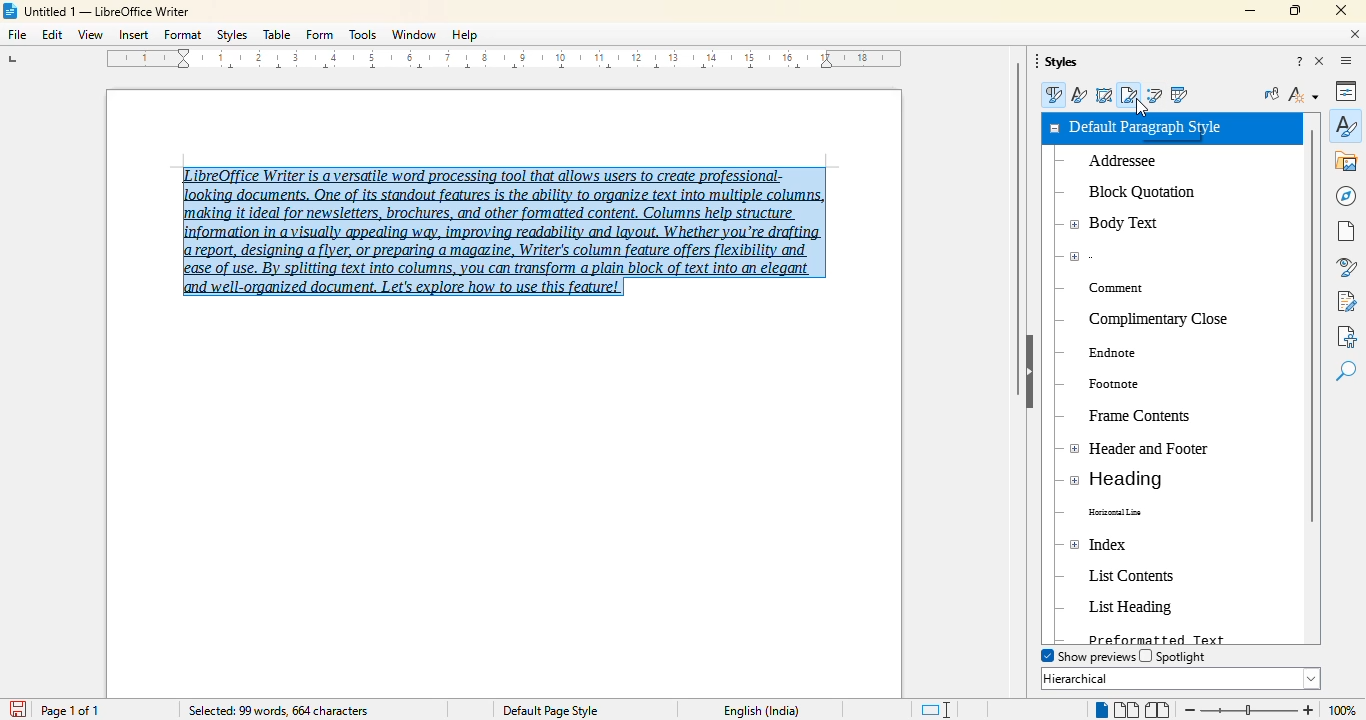 This screenshot has height=720, width=1366. Describe the element at coordinates (1108, 283) in the screenshot. I see `| I Comment` at that location.